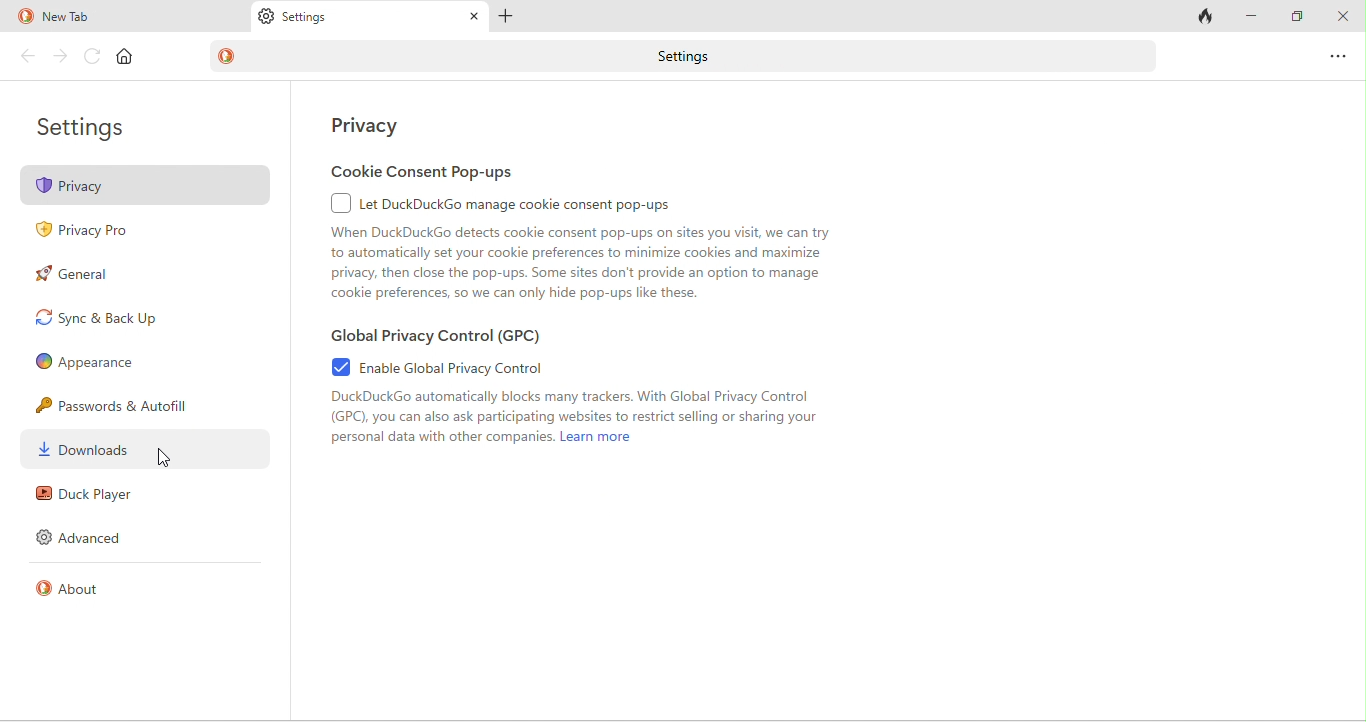 Image resolution: width=1366 pixels, height=722 pixels. Describe the element at coordinates (127, 408) in the screenshot. I see `passwords and autofill` at that location.